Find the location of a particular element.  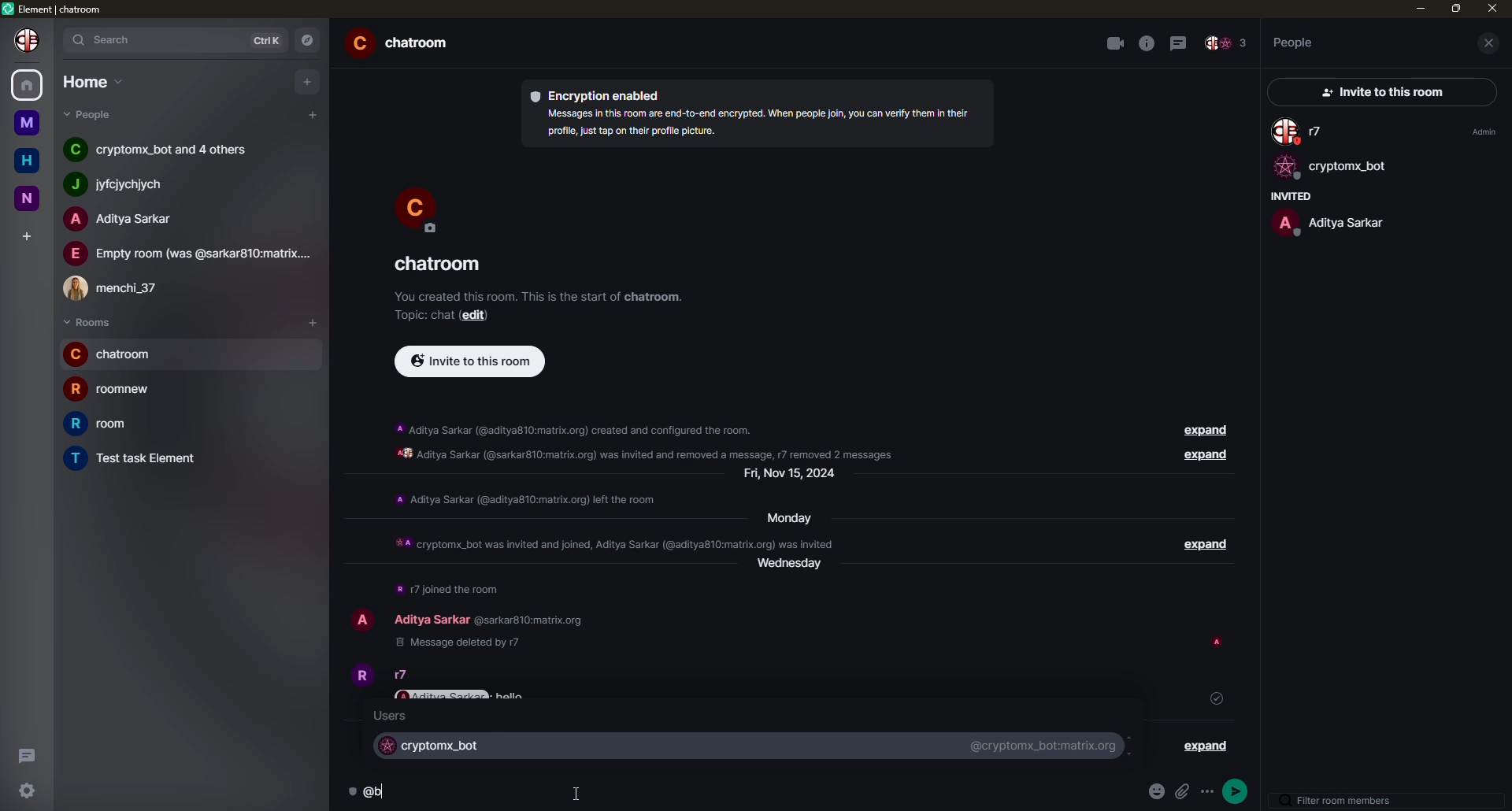

invite is located at coordinates (1377, 93).